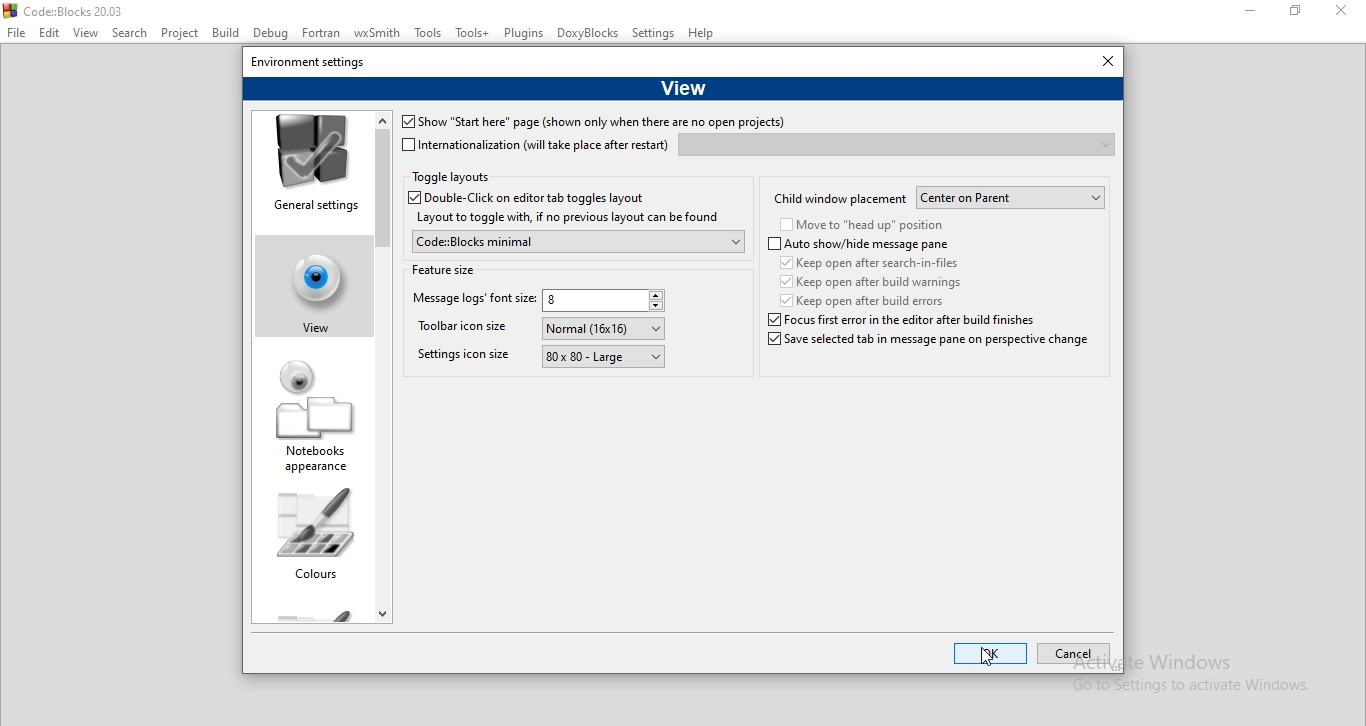 Image resolution: width=1366 pixels, height=726 pixels. What do you see at coordinates (315, 418) in the screenshot?
I see `notebooks appearance` at bounding box center [315, 418].